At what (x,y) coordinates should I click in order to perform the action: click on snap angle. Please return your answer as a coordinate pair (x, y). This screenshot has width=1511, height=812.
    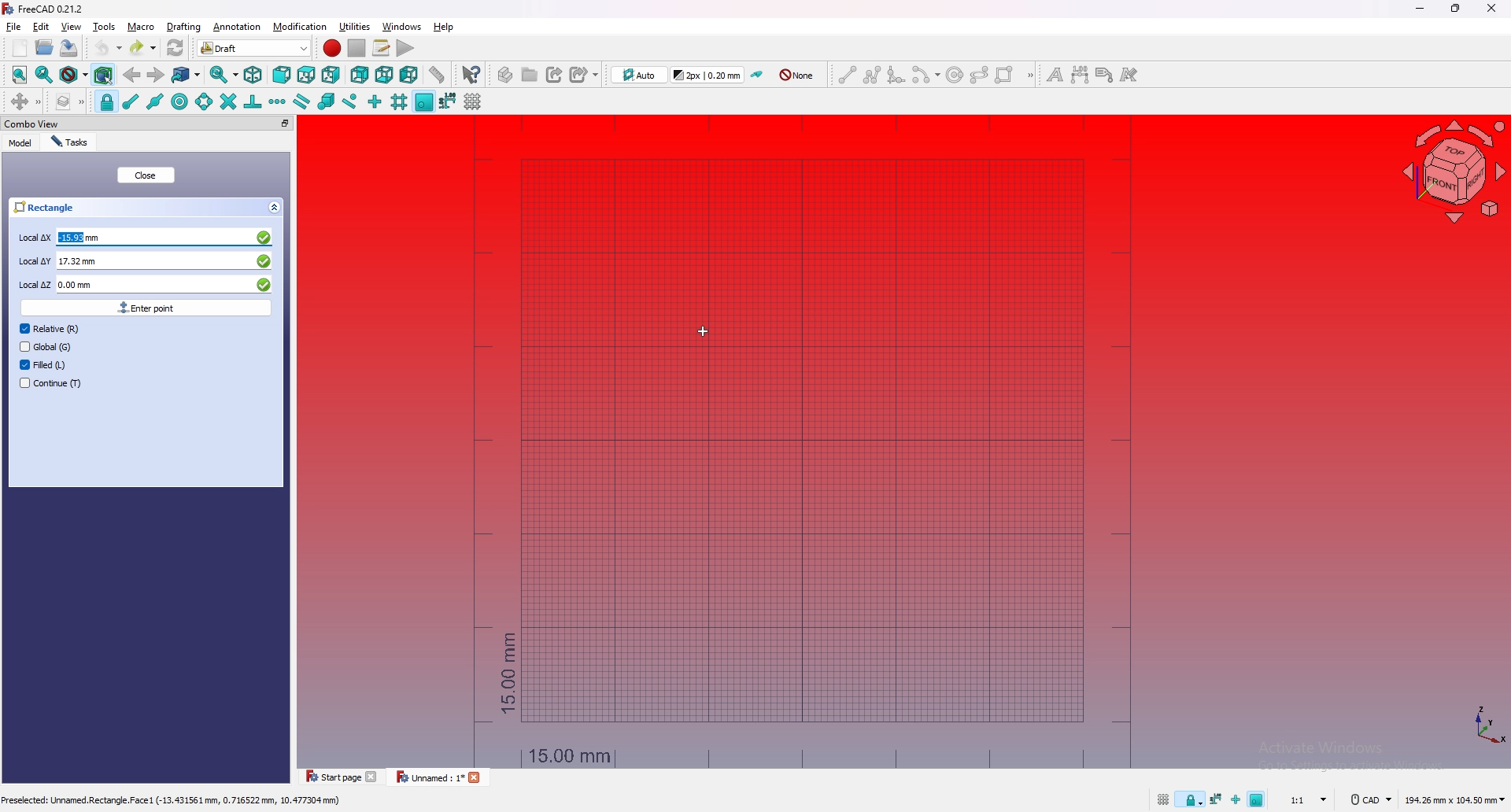
    Looking at the image, I should click on (203, 101).